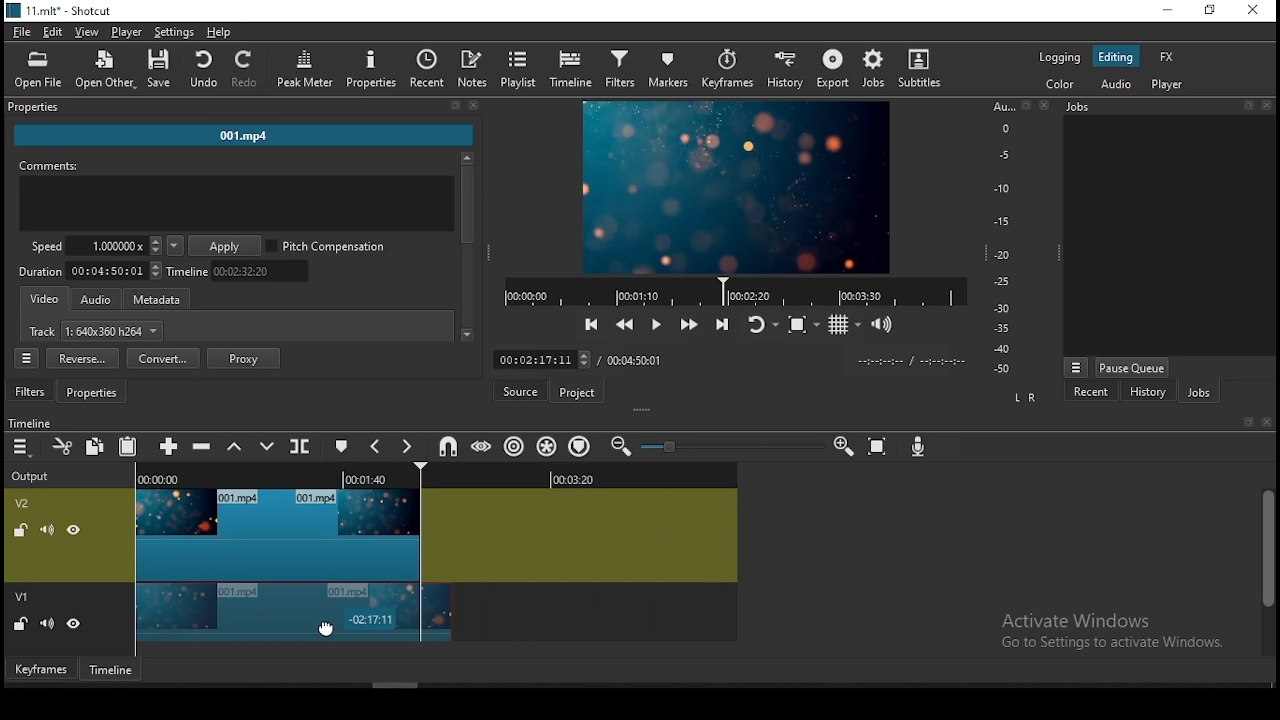 This screenshot has width=1280, height=720. I want to click on metadata, so click(163, 300).